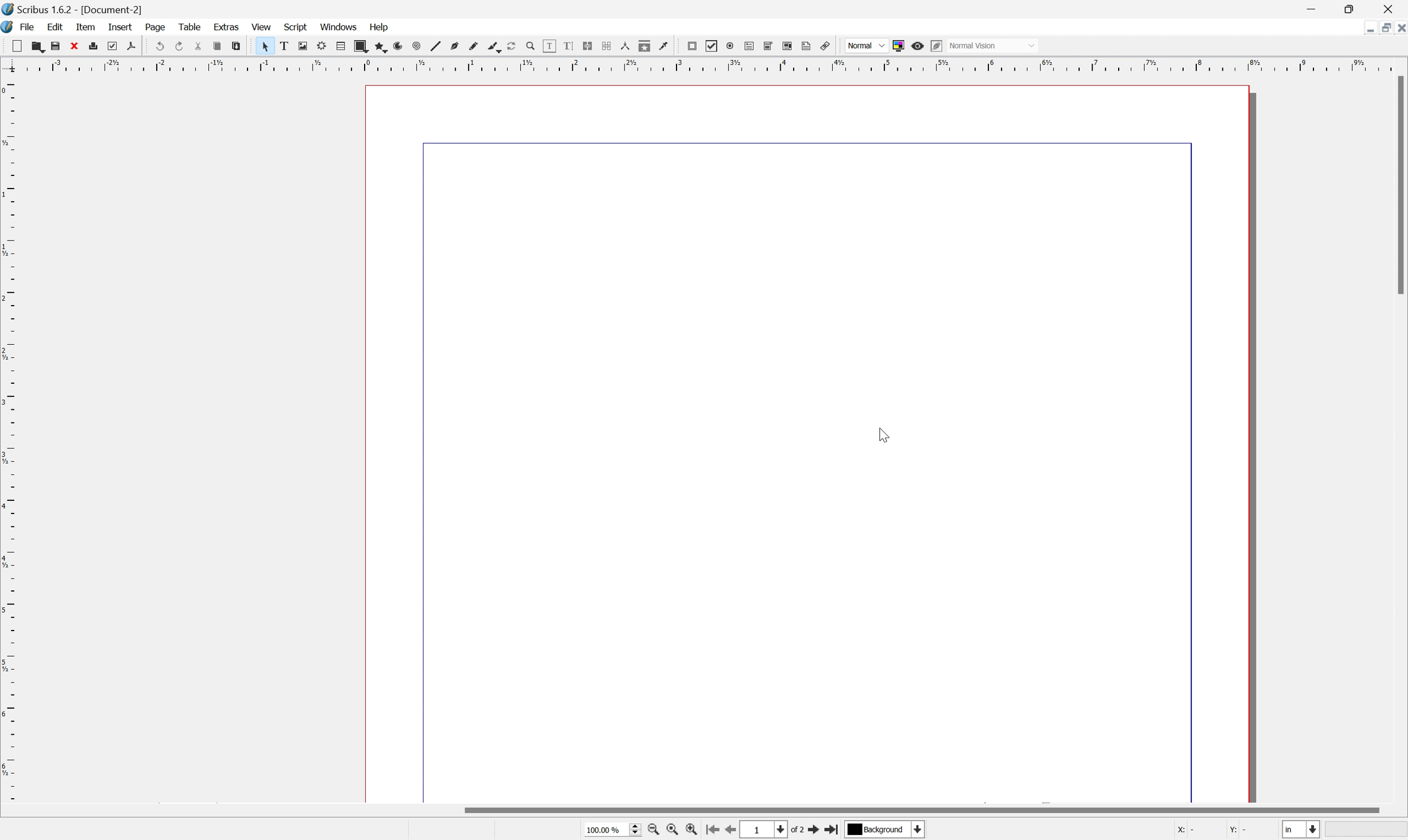  I want to click on View, so click(260, 27).